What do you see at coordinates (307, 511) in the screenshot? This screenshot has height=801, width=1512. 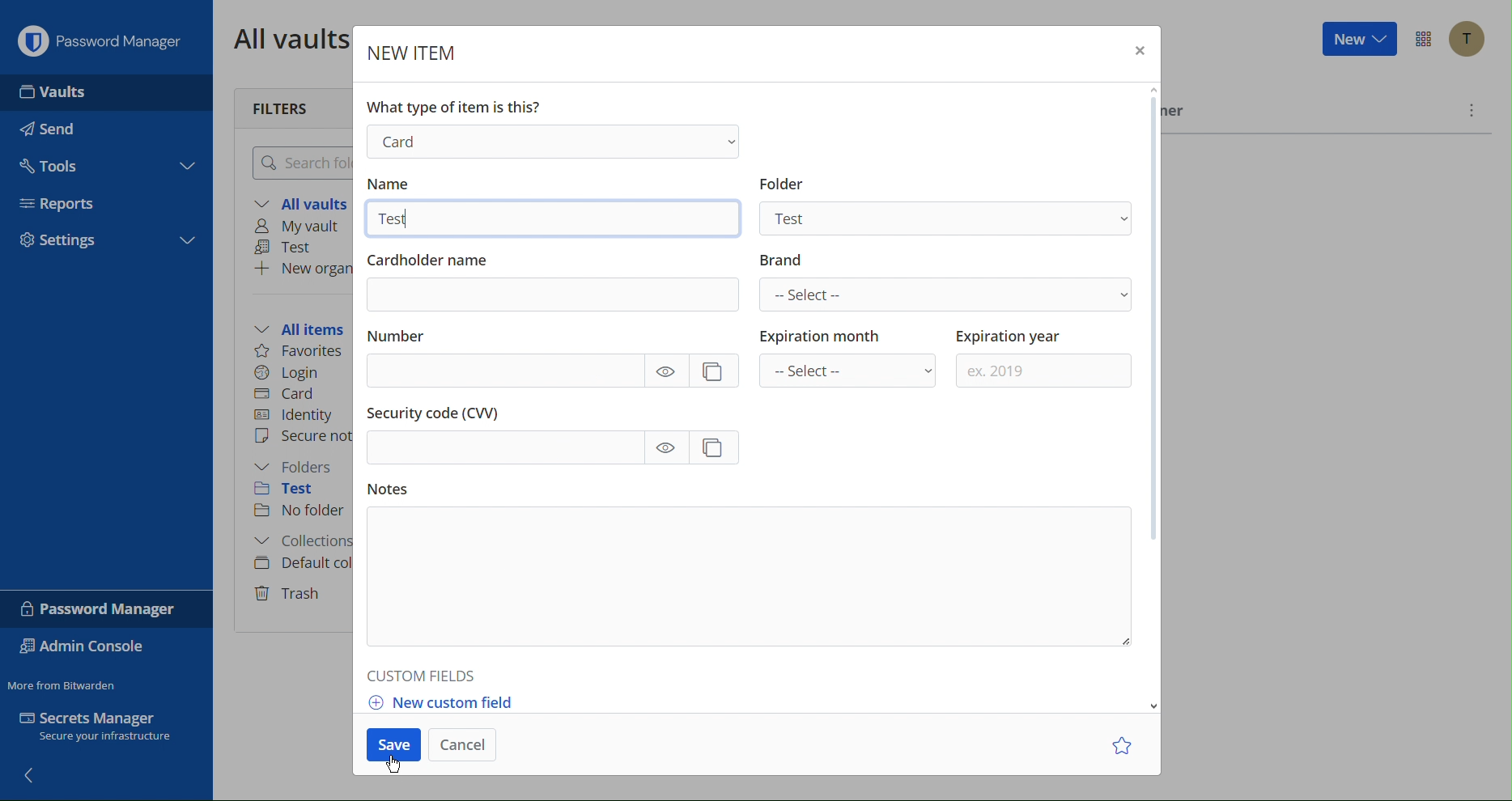 I see `No folder` at bounding box center [307, 511].